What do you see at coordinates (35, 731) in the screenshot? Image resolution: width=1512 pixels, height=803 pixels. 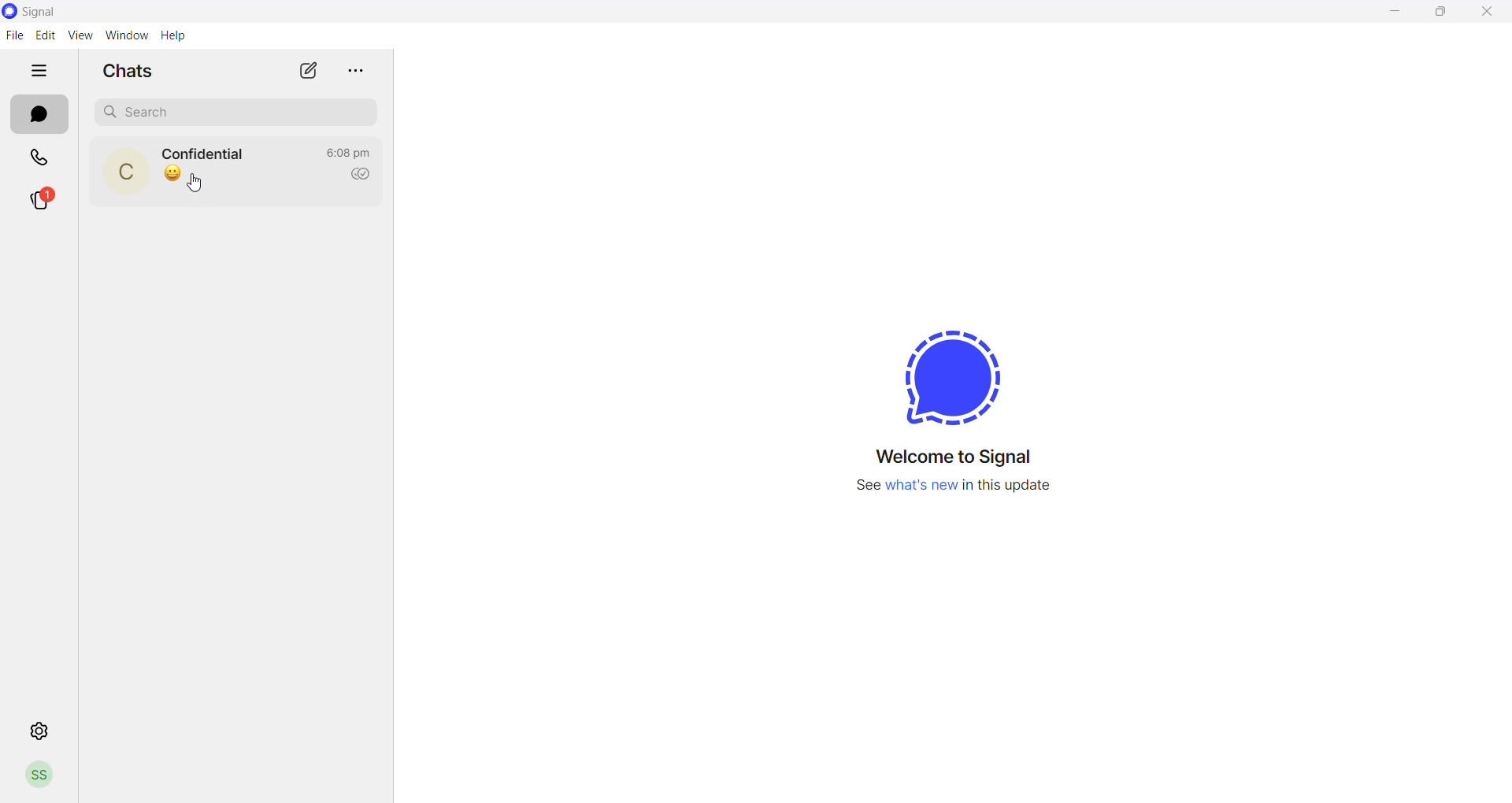 I see `setting` at bounding box center [35, 731].